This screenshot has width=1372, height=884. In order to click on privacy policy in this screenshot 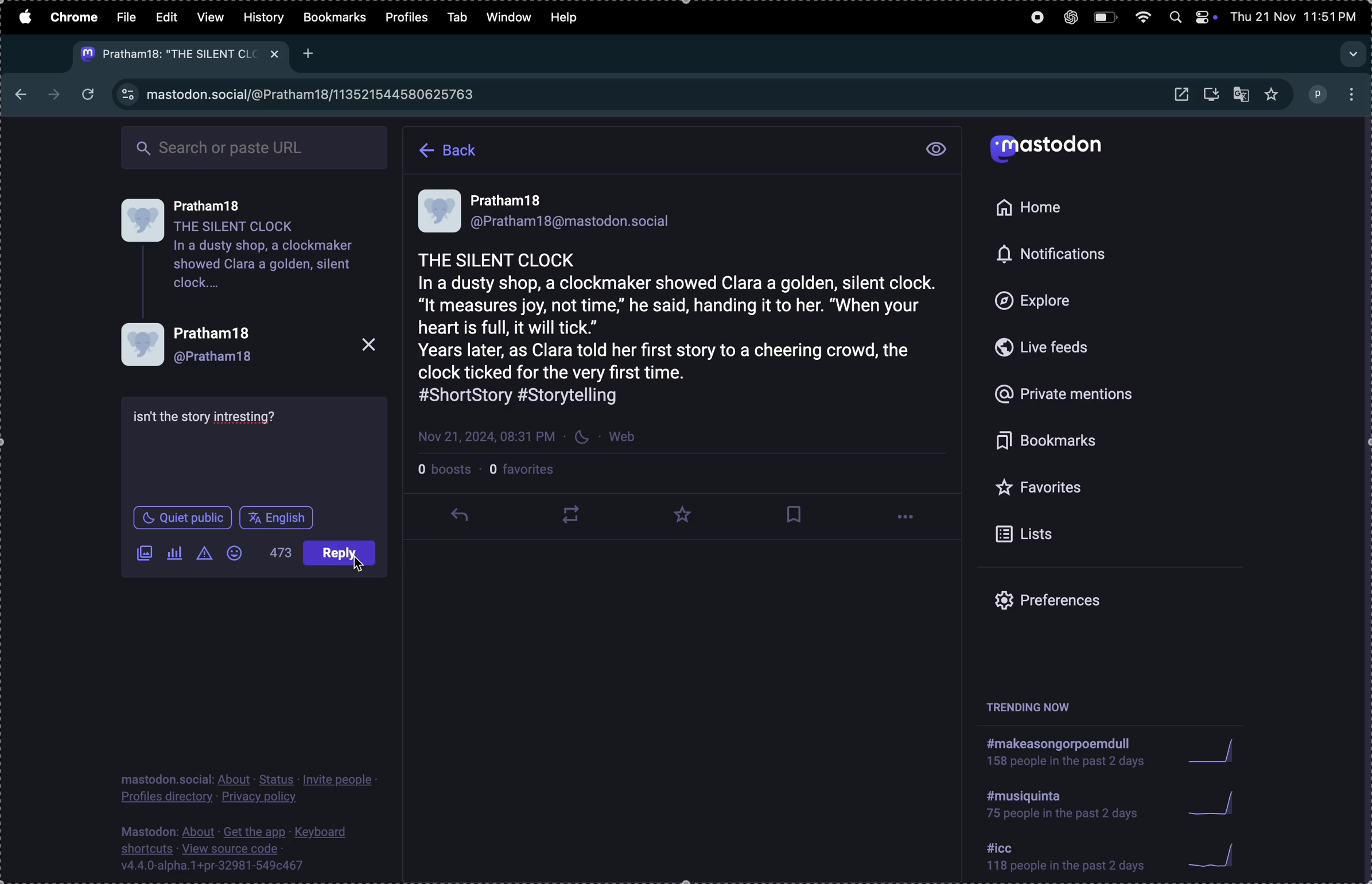, I will do `click(254, 787)`.